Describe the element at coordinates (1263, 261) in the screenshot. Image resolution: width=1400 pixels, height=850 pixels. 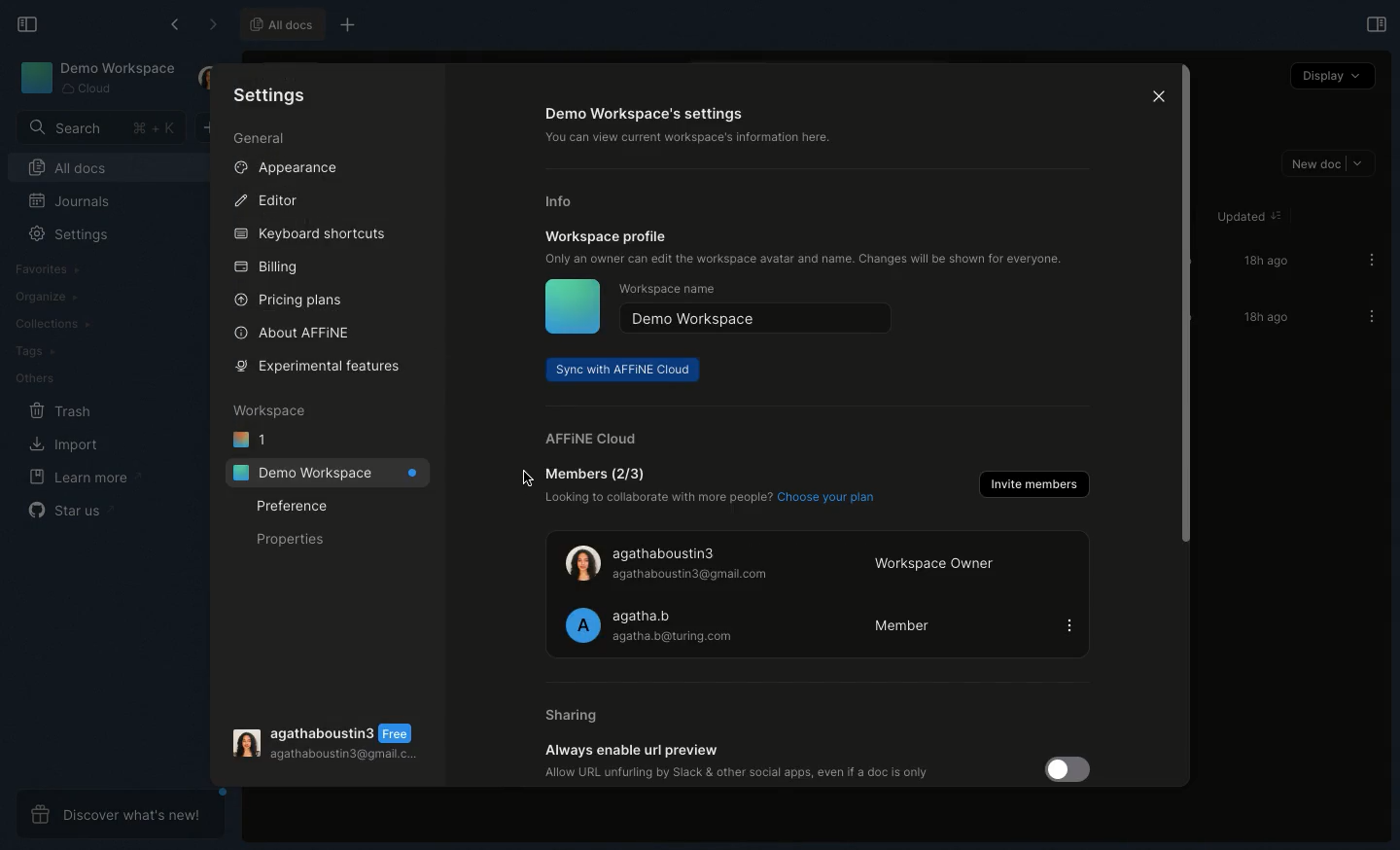
I see `18h ago` at that location.